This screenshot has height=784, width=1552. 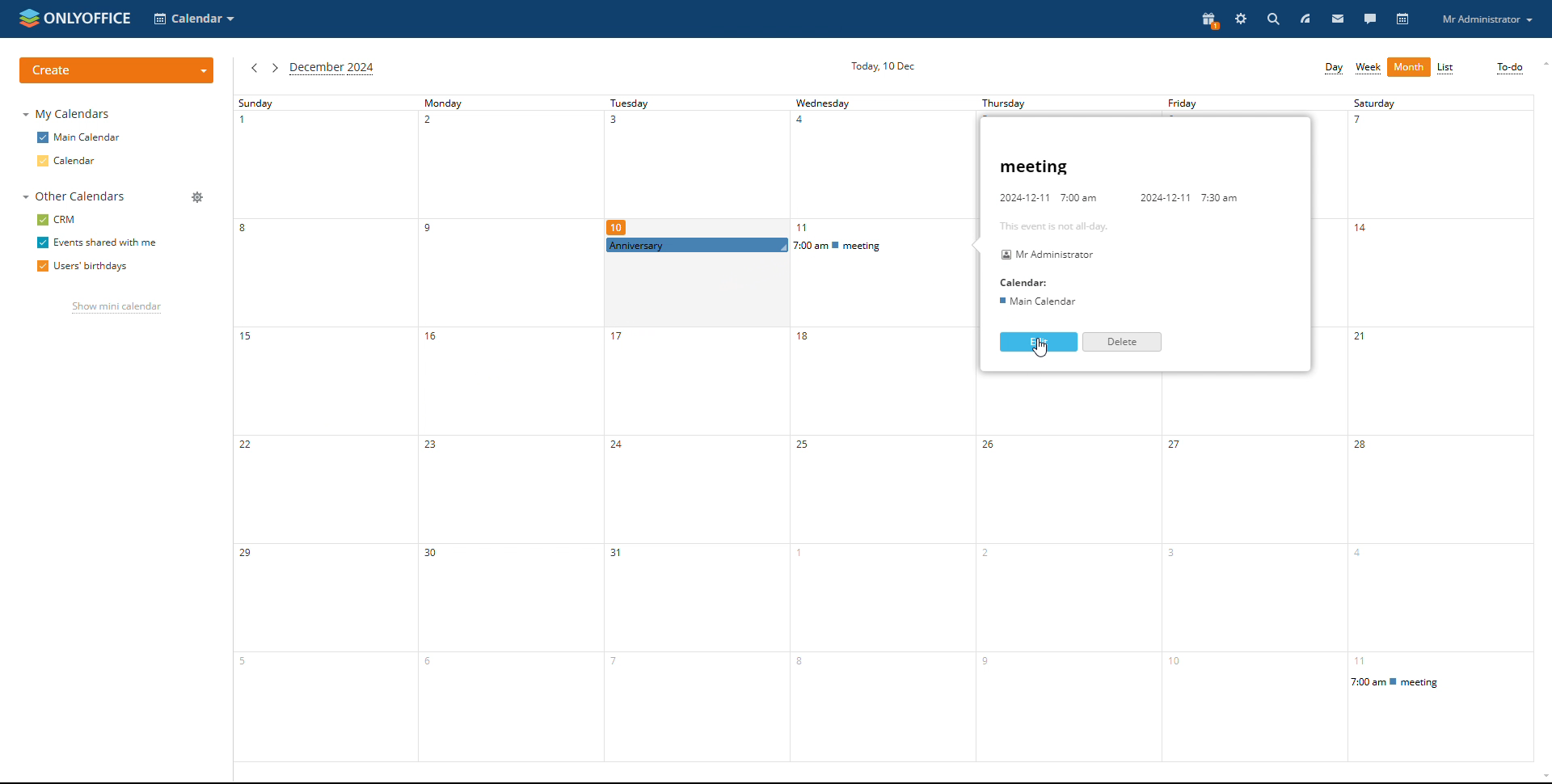 What do you see at coordinates (1025, 284) in the screenshot?
I see `Calendar:` at bounding box center [1025, 284].